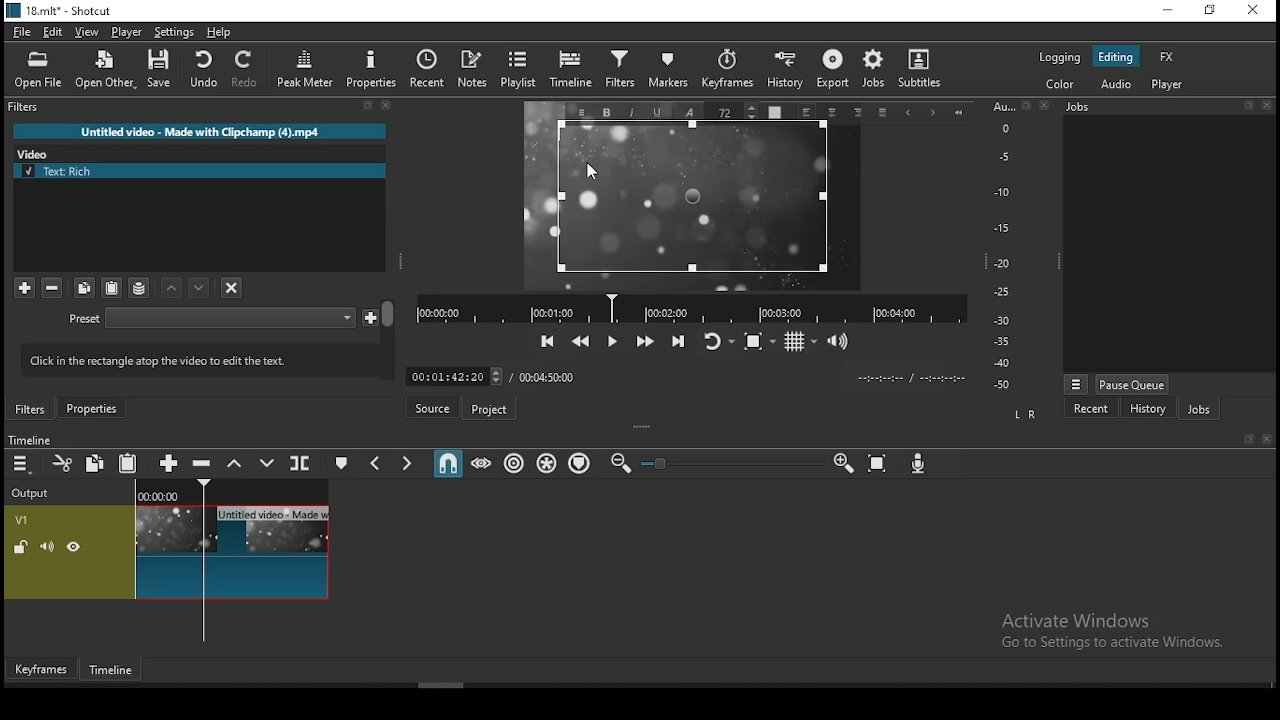 This screenshot has width=1280, height=720. I want to click on Center Align, so click(834, 113).